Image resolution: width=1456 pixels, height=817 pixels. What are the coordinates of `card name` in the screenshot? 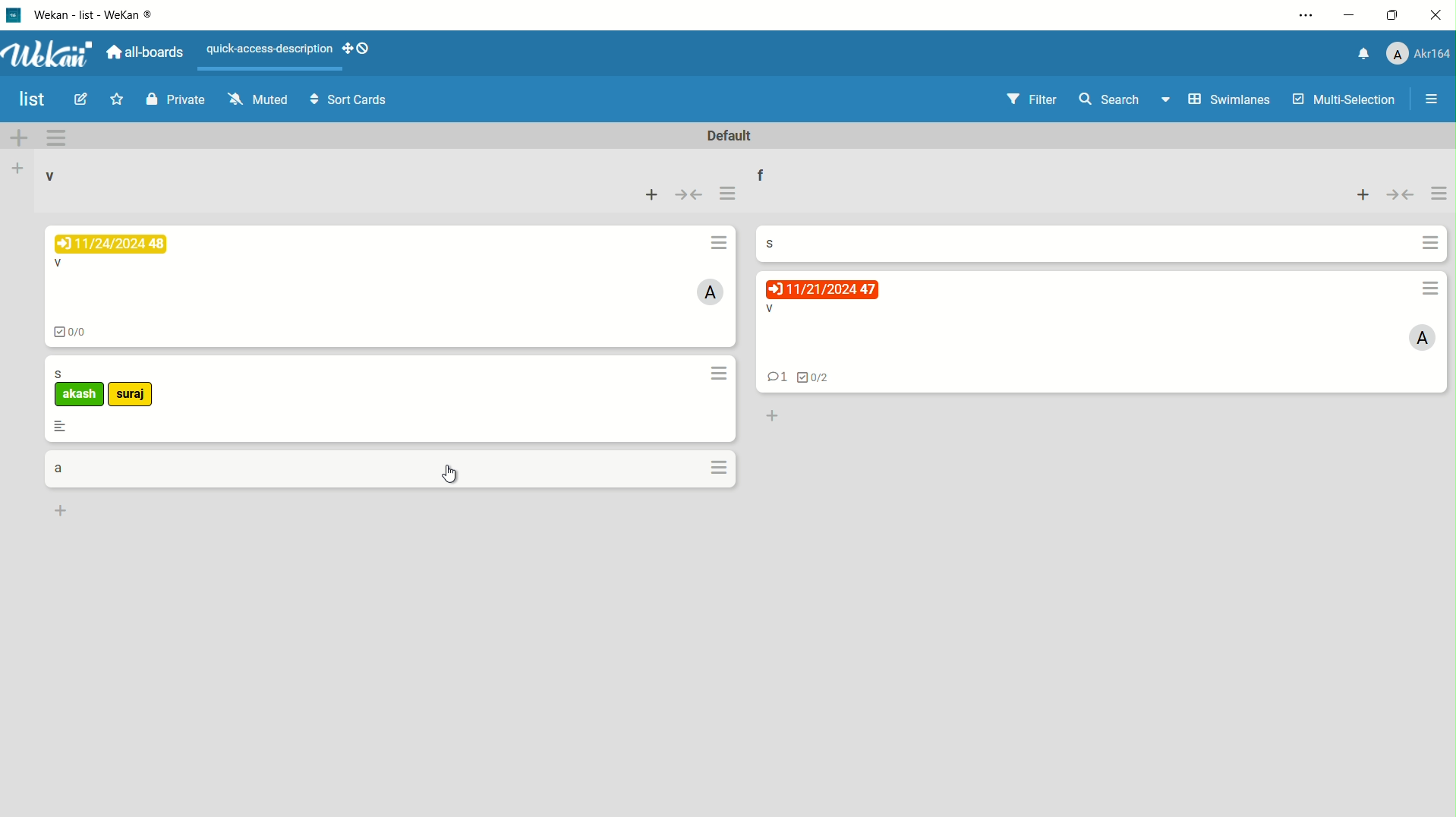 It's located at (61, 374).